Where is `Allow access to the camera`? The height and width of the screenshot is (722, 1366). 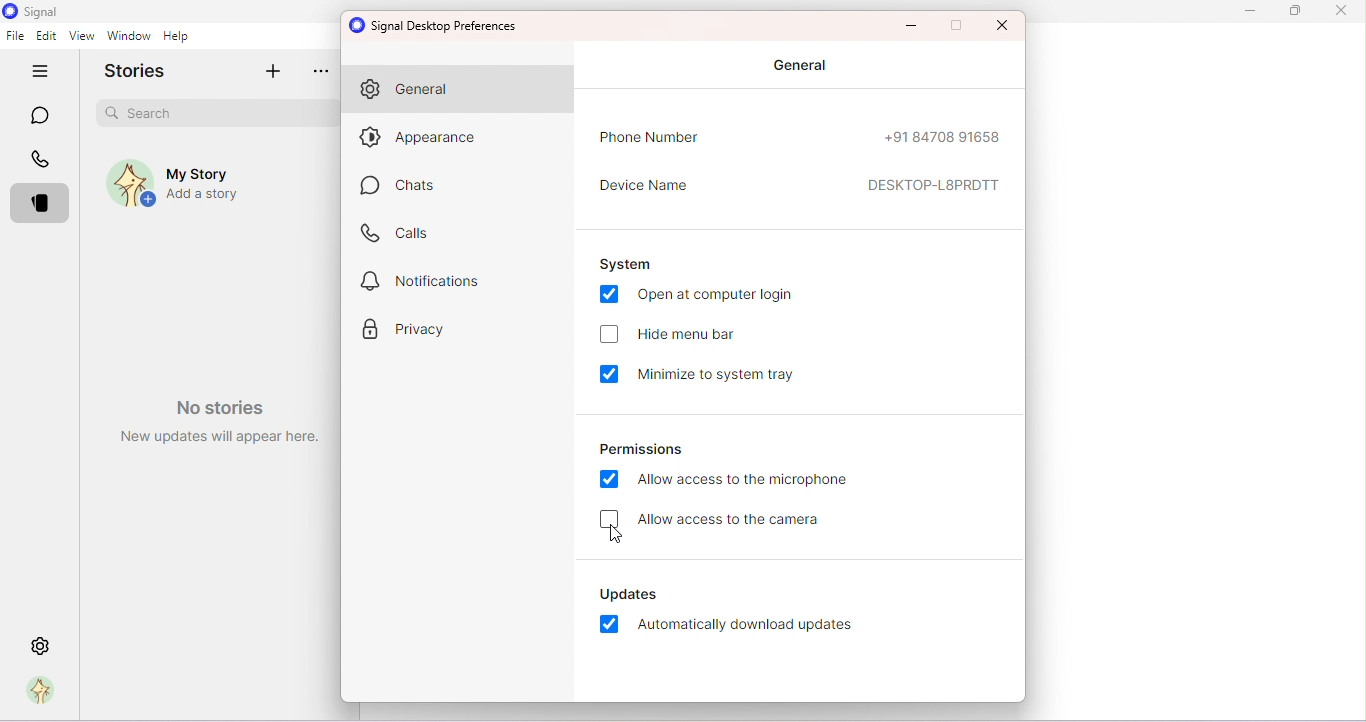 Allow access to the camera is located at coordinates (715, 522).